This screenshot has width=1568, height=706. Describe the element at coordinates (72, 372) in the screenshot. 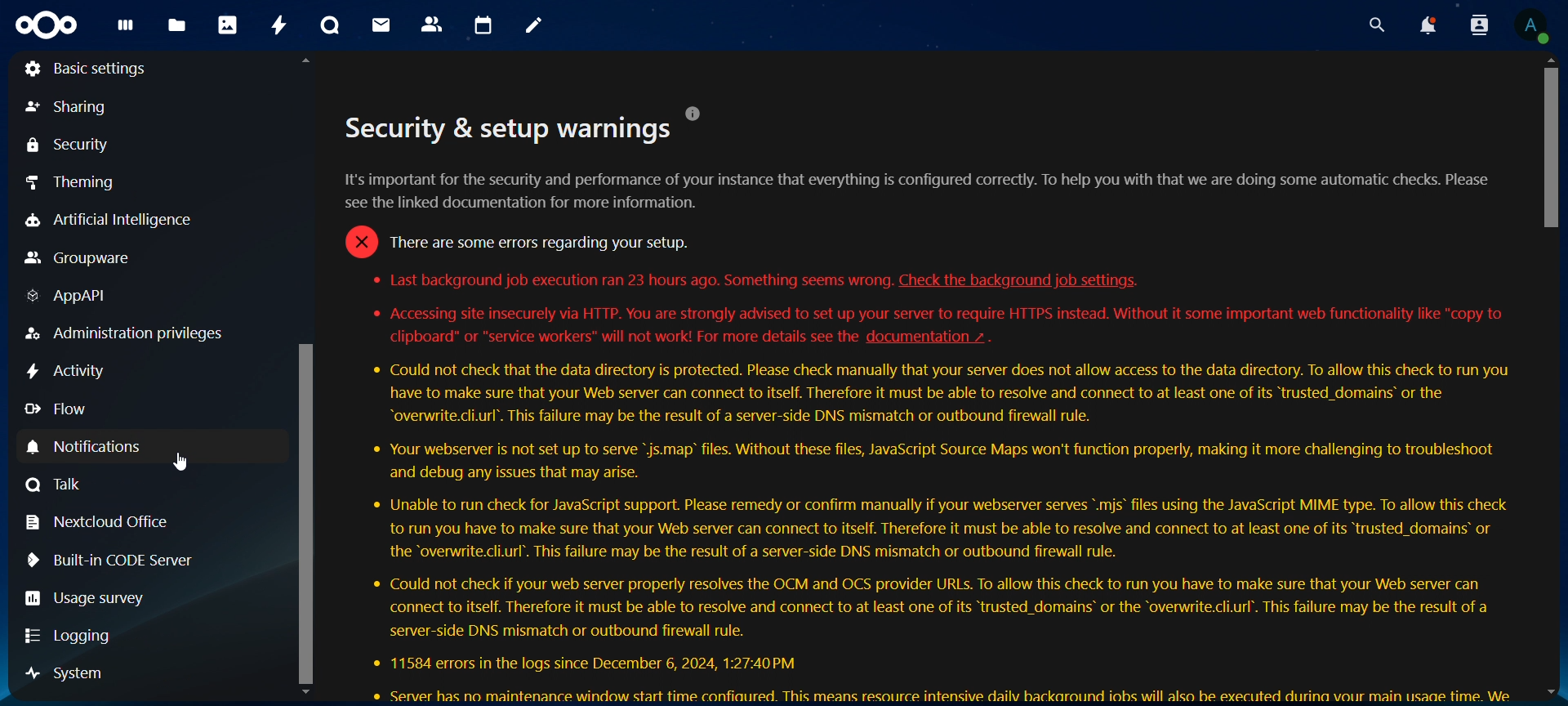

I see `activity` at that location.